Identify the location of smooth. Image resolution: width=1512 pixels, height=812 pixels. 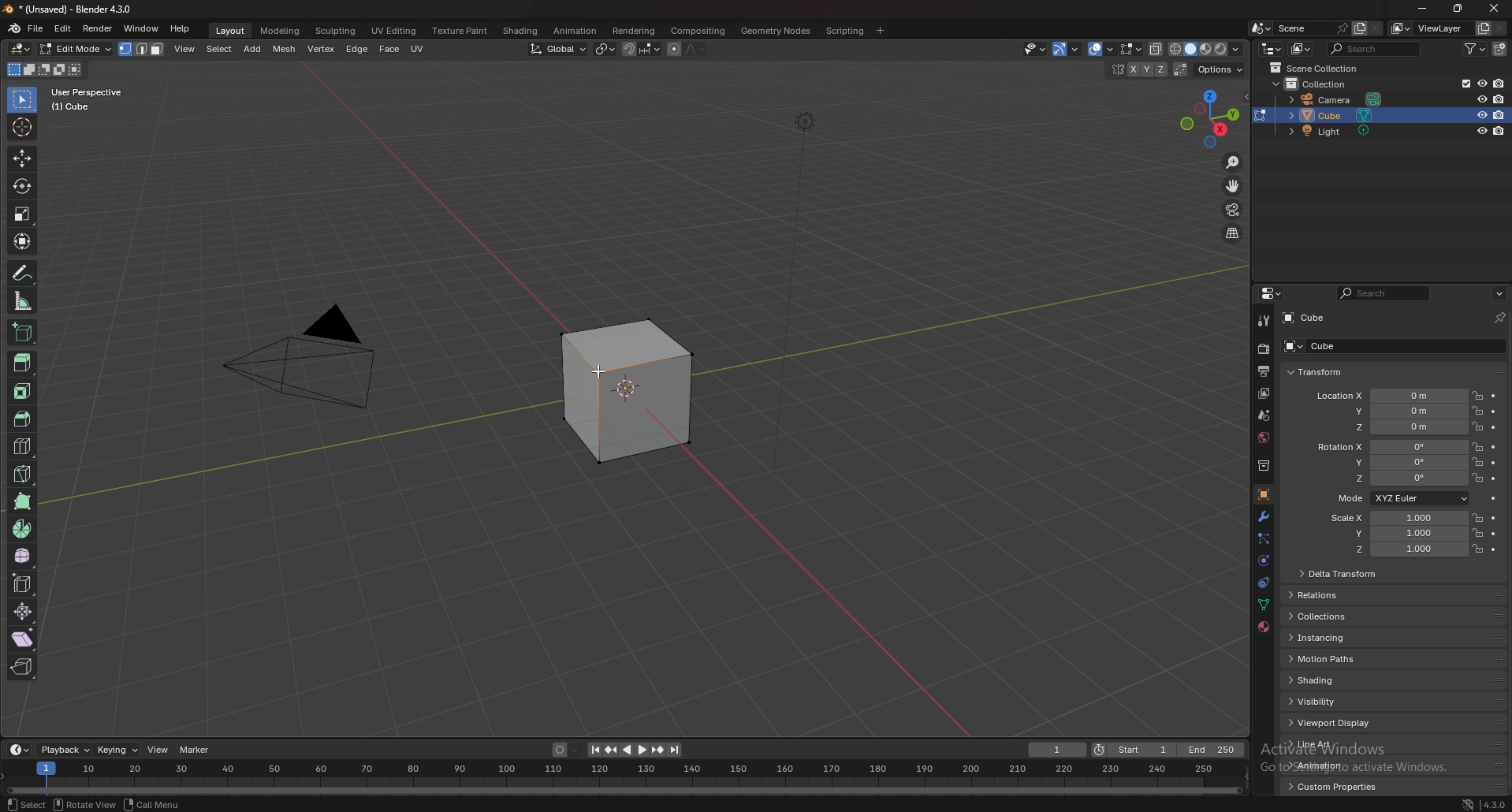
(22, 557).